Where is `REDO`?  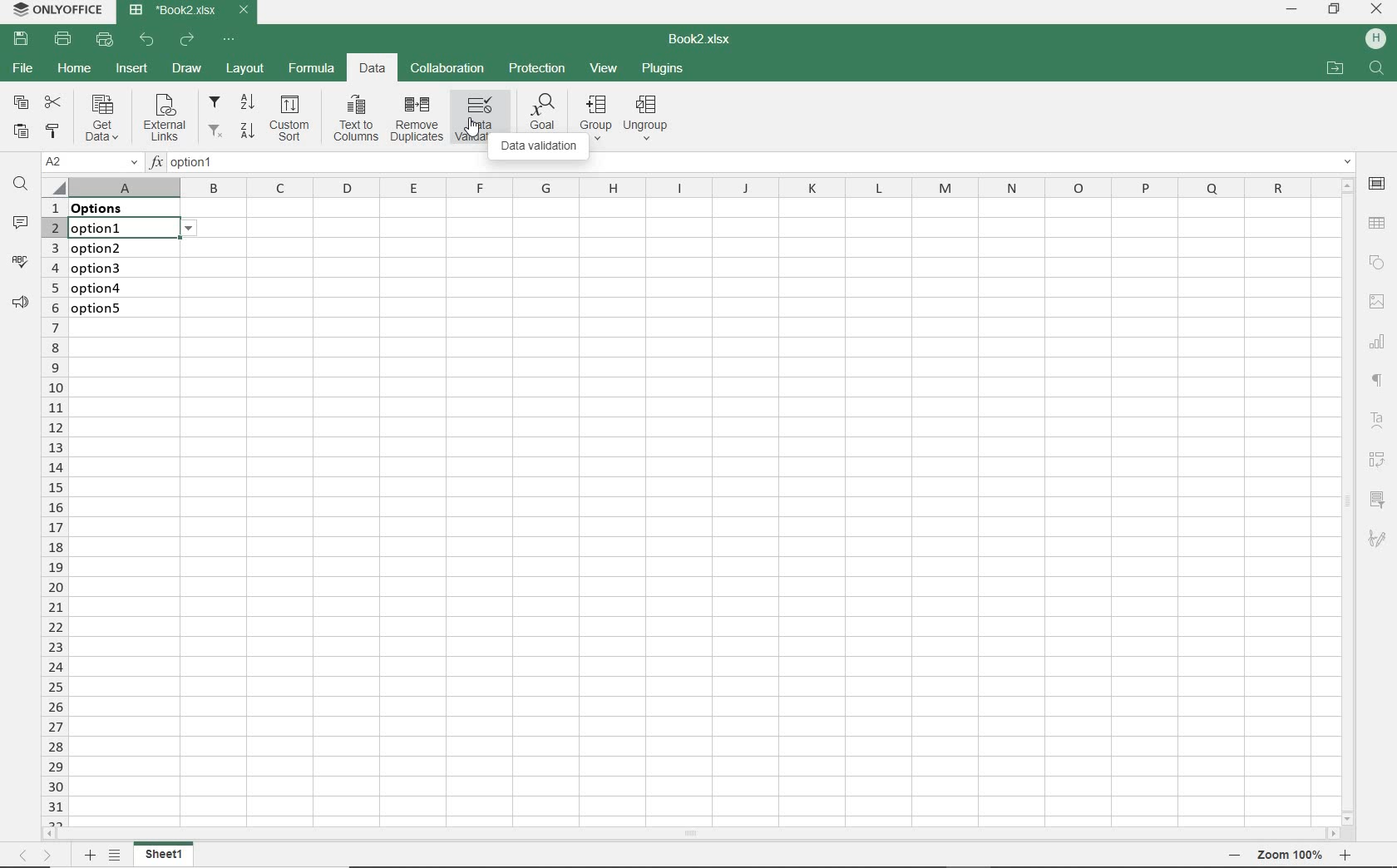 REDO is located at coordinates (187, 40).